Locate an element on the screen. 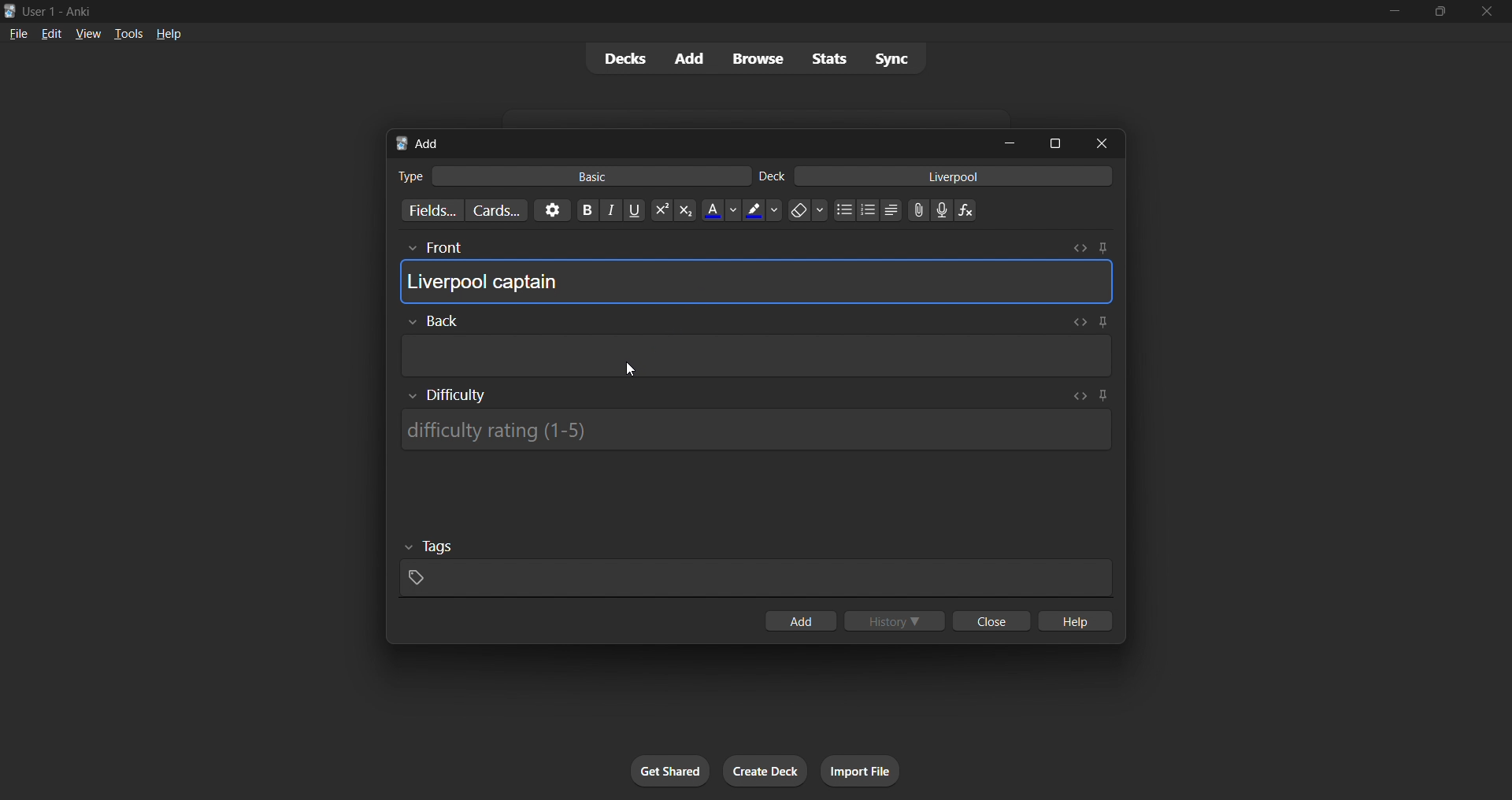 The height and width of the screenshot is (800, 1512). Toggle HTML editor is located at coordinates (1080, 396).